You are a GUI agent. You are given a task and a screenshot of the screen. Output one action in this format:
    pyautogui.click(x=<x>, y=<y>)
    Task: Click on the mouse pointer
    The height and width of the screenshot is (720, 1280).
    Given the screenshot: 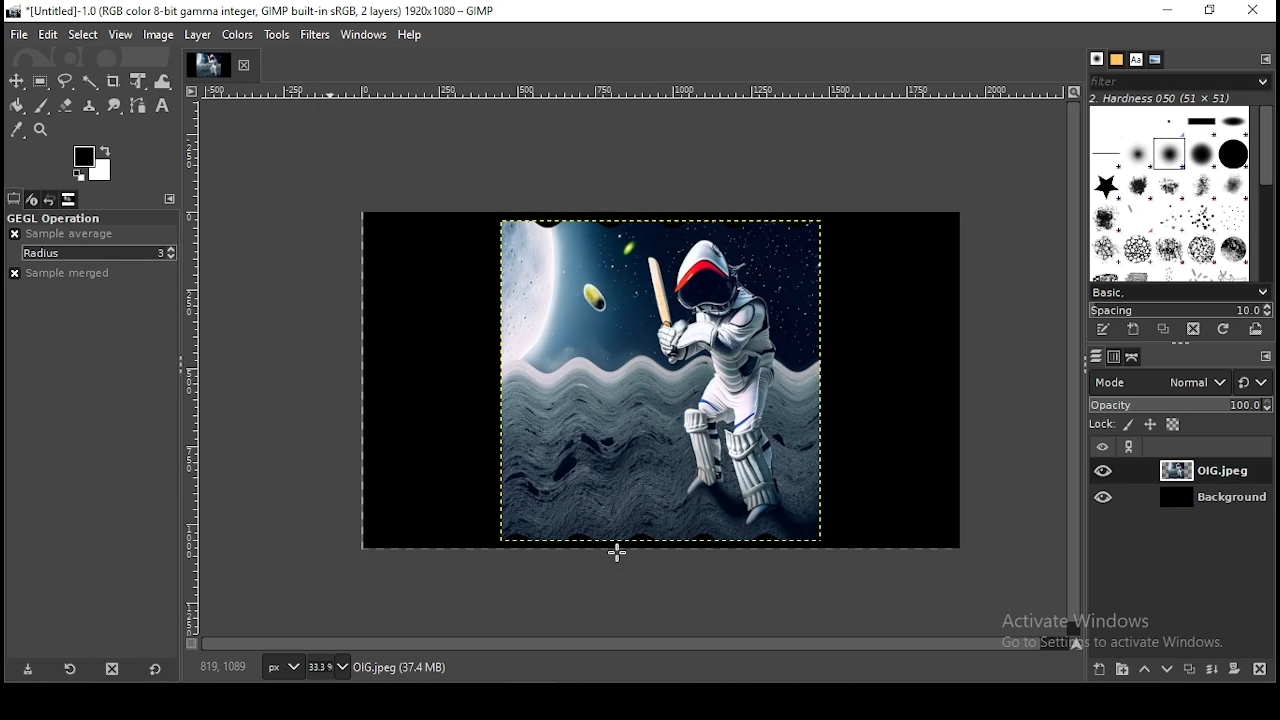 What is the action you would take?
    pyautogui.click(x=618, y=553)
    